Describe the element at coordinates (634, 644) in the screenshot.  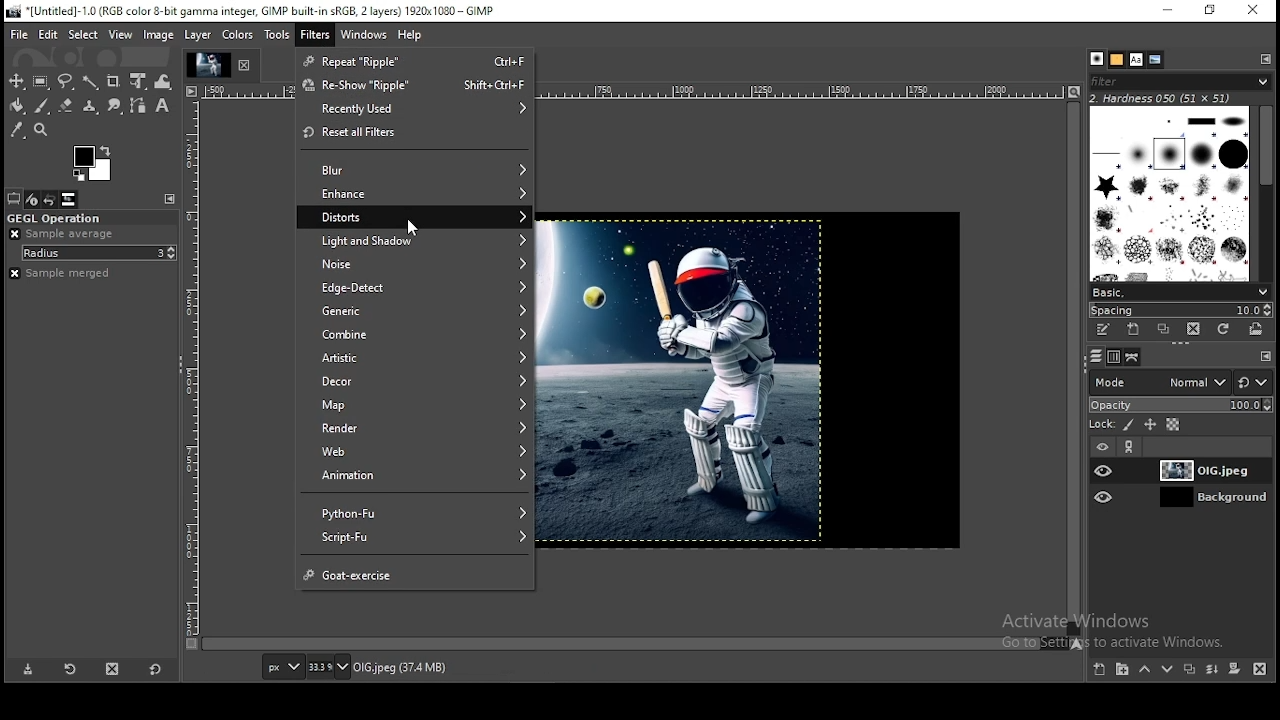
I see `scroll bar` at that location.